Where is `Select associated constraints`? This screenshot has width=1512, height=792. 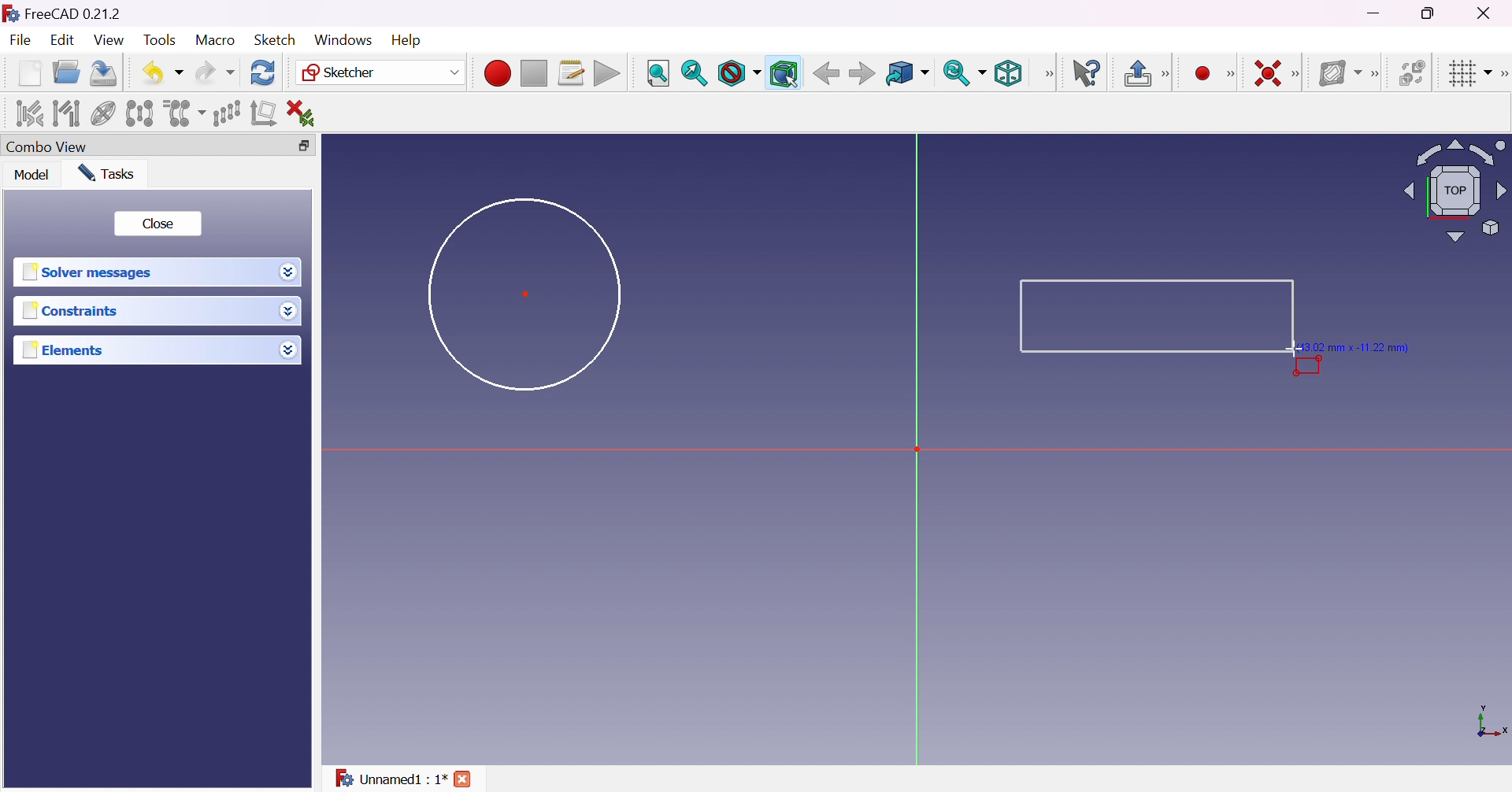 Select associated constraints is located at coordinates (27, 113).